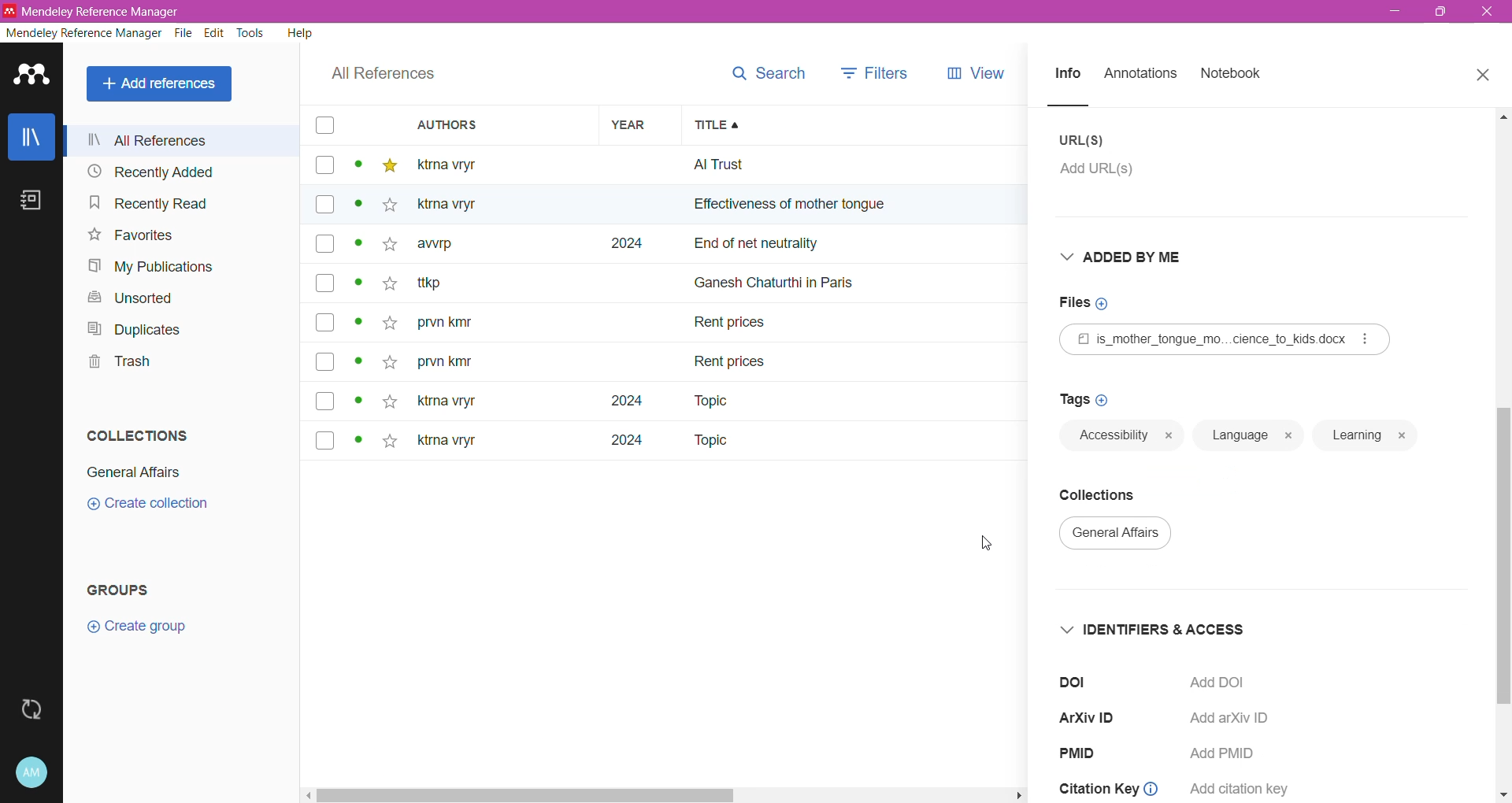 Image resolution: width=1512 pixels, height=803 pixels. What do you see at coordinates (447, 444) in the screenshot?
I see `ktma vryr` at bounding box center [447, 444].